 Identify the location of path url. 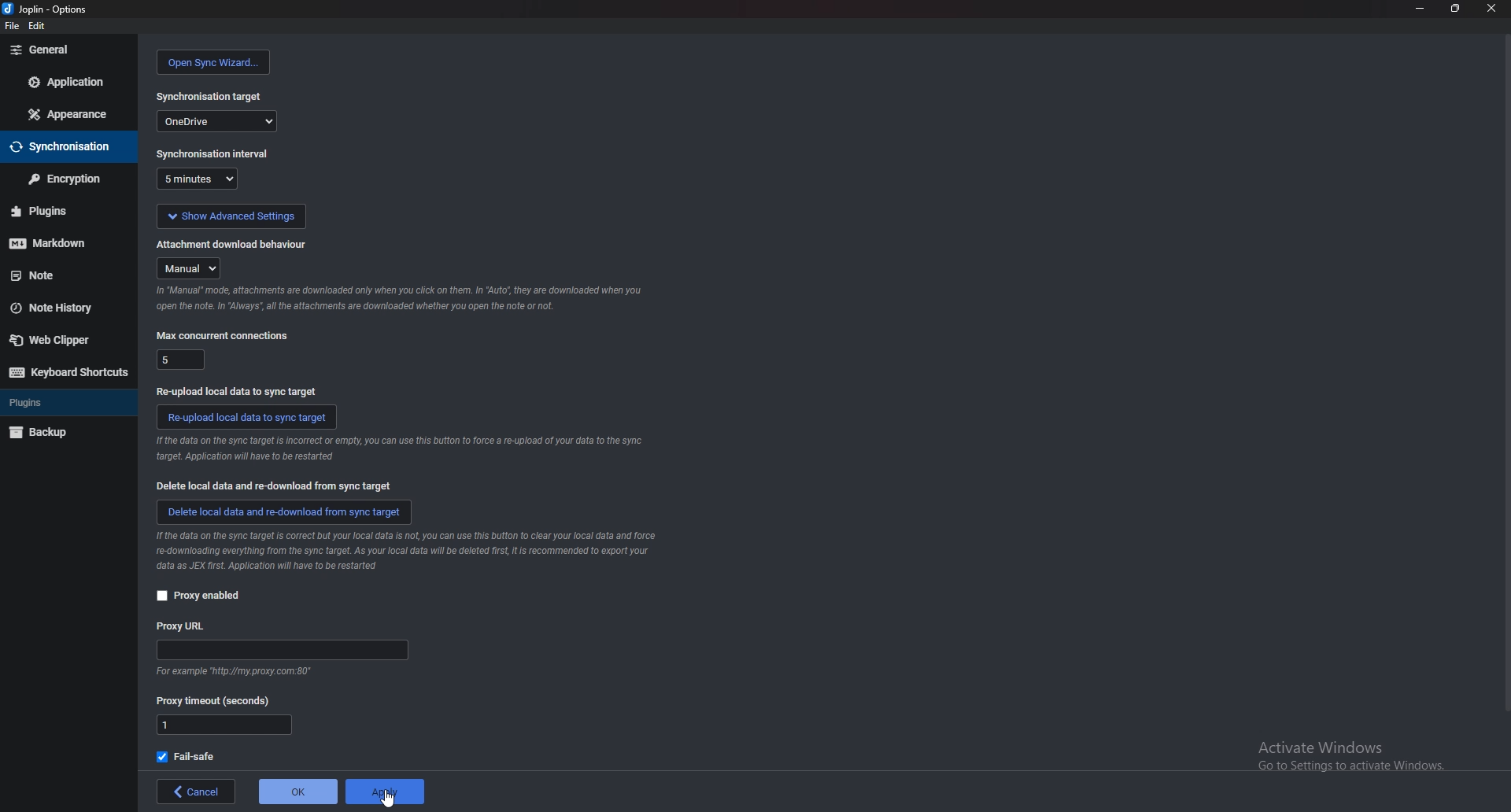
(282, 651).